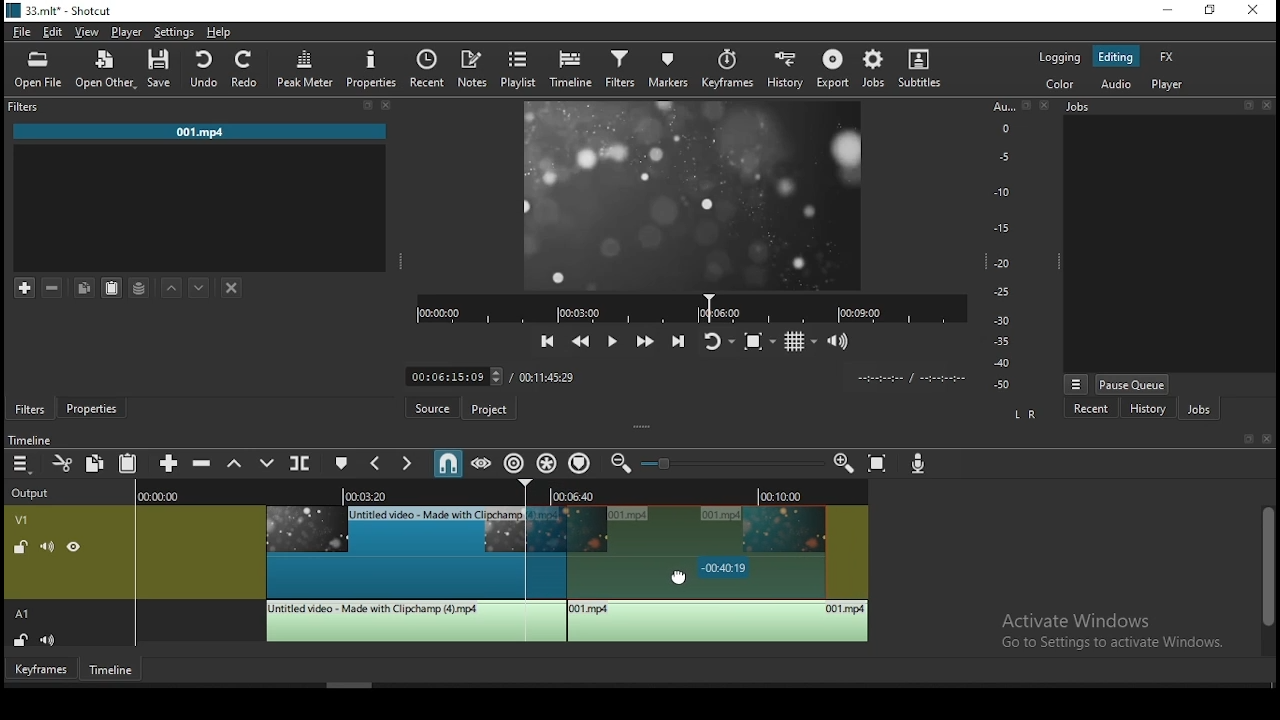  Describe the element at coordinates (919, 462) in the screenshot. I see `record audio` at that location.